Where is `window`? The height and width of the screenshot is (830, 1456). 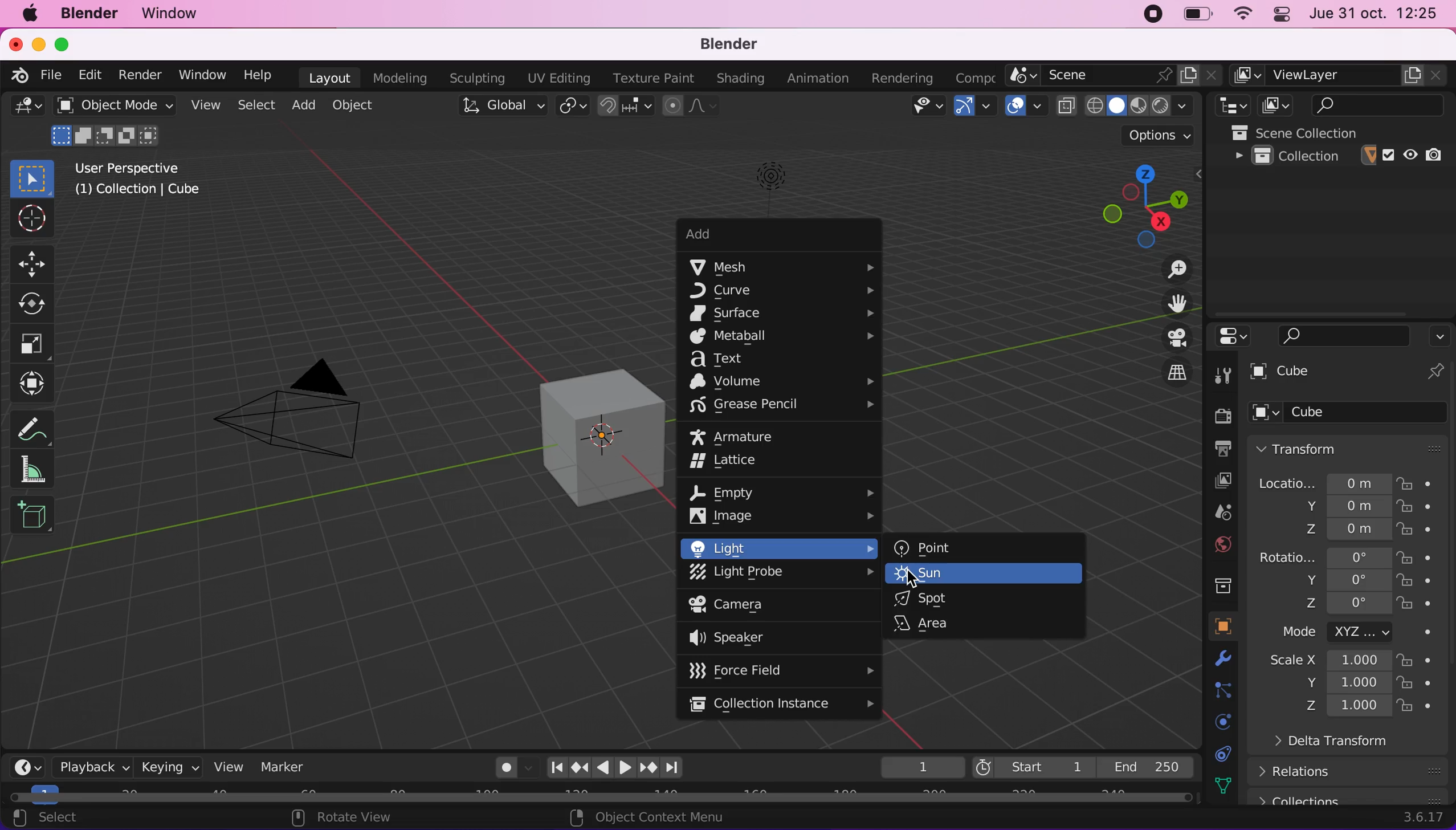
window is located at coordinates (177, 14).